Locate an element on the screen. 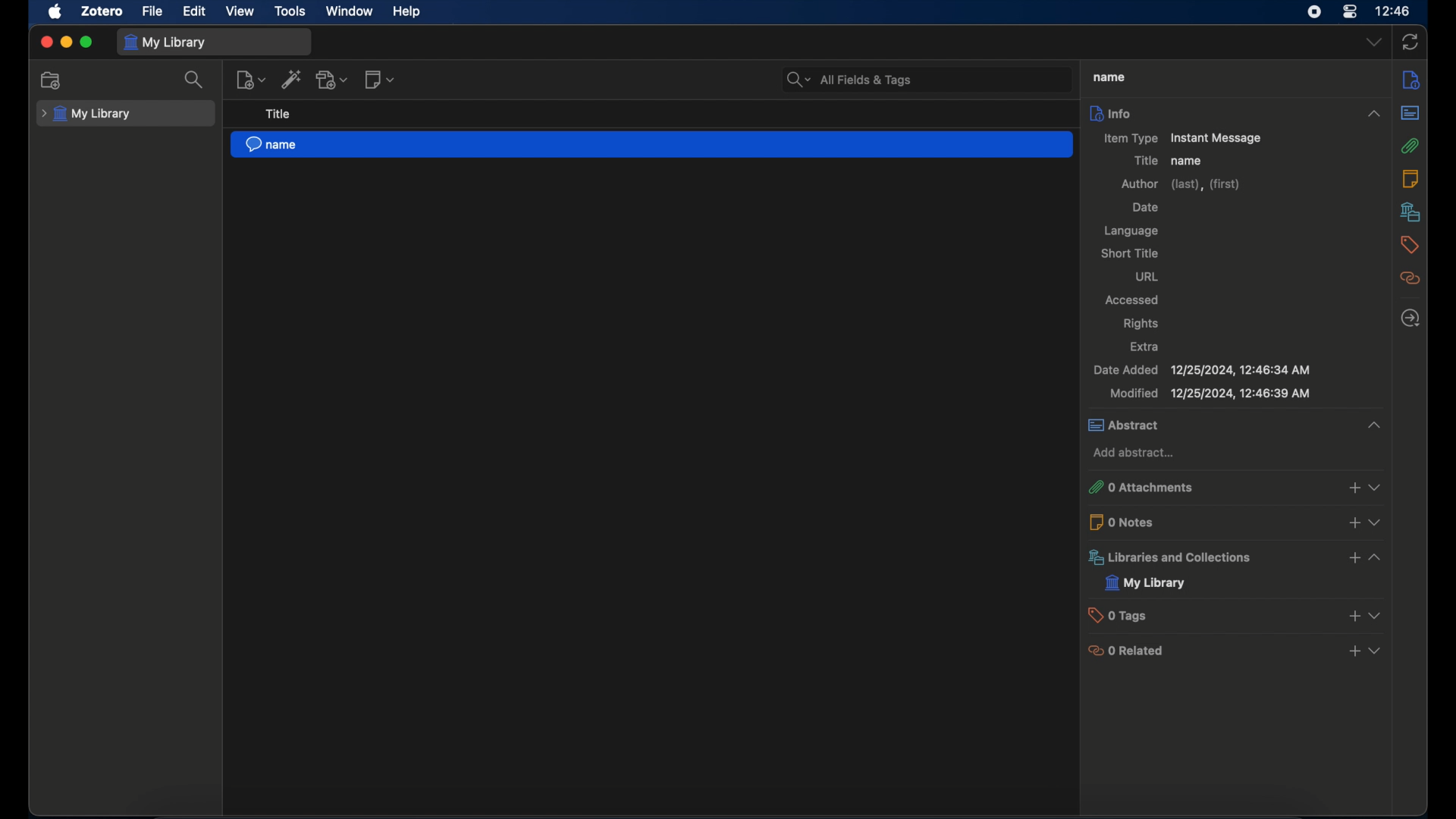  apple is located at coordinates (55, 12).